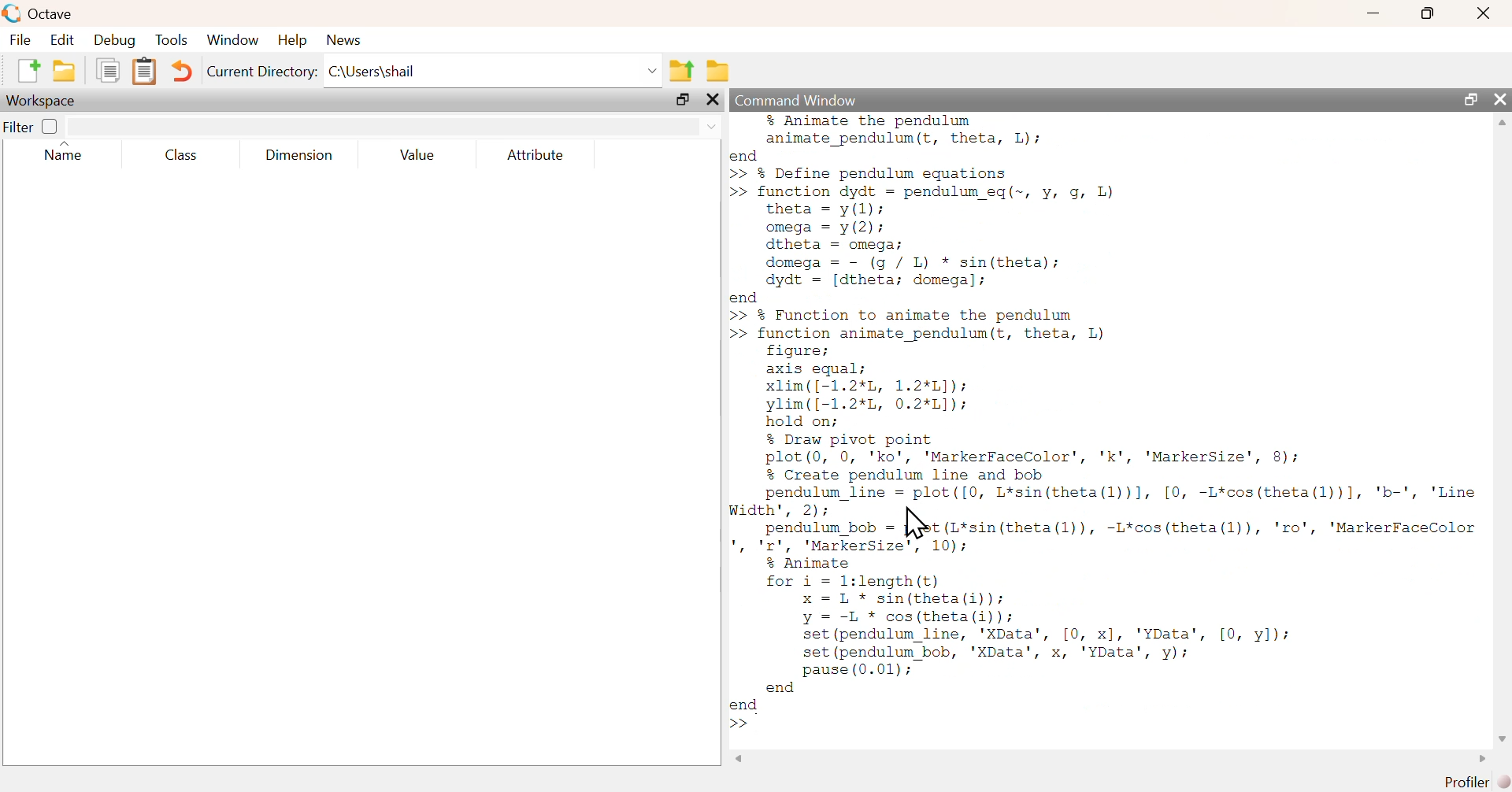  I want to click on Value, so click(422, 156).